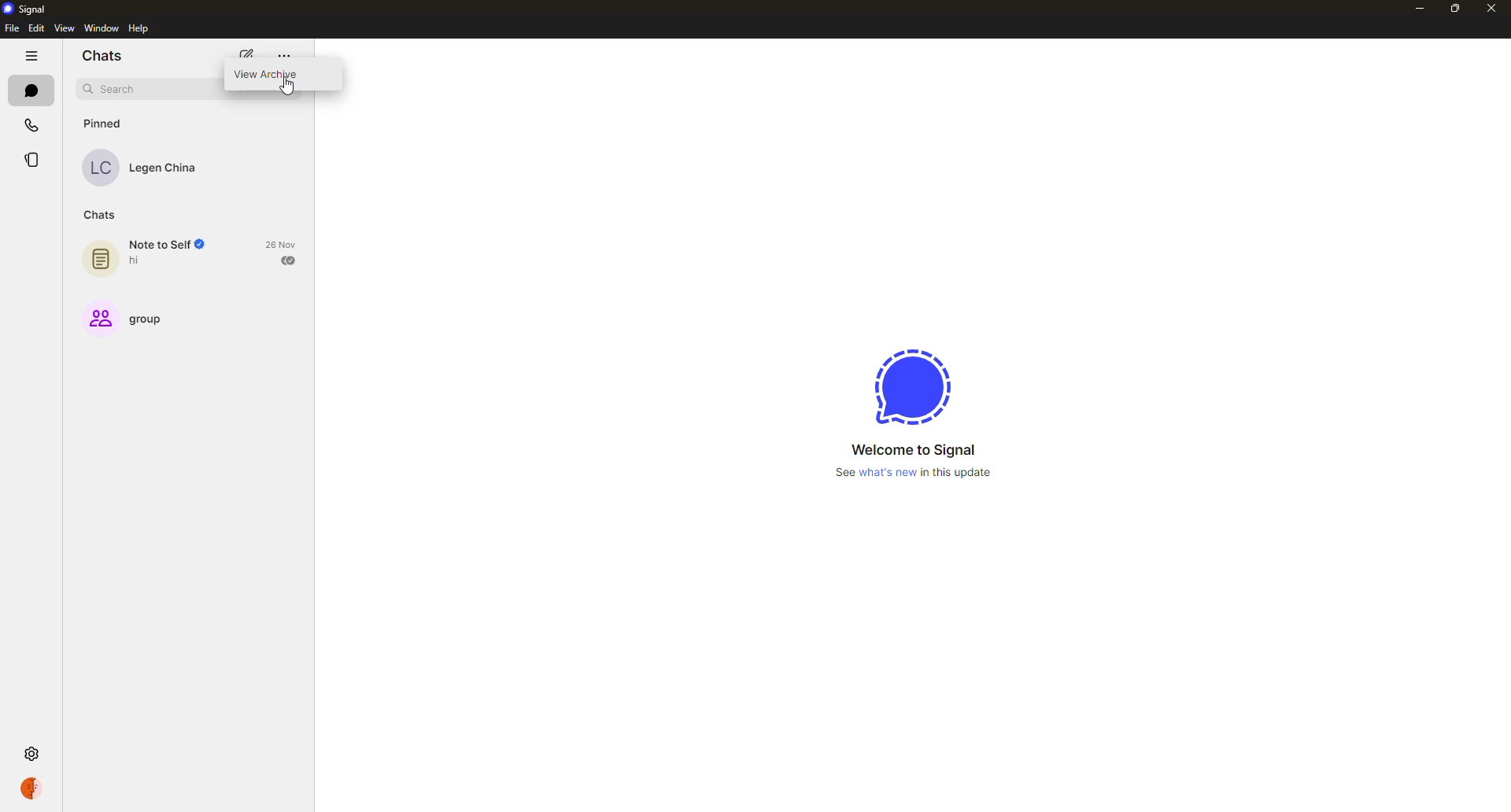  Describe the element at coordinates (113, 90) in the screenshot. I see `search` at that location.